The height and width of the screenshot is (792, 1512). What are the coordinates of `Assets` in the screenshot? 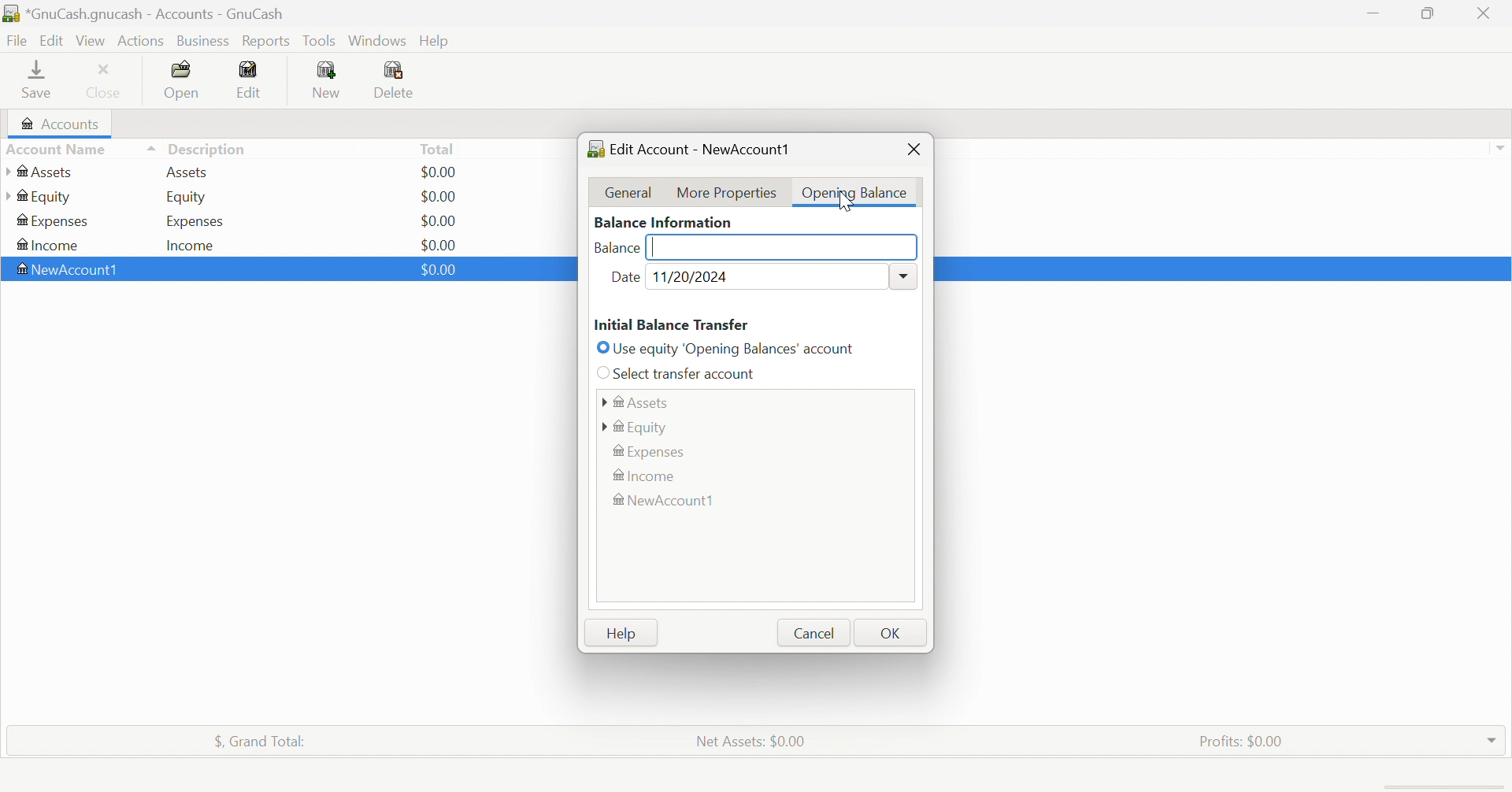 It's located at (43, 172).